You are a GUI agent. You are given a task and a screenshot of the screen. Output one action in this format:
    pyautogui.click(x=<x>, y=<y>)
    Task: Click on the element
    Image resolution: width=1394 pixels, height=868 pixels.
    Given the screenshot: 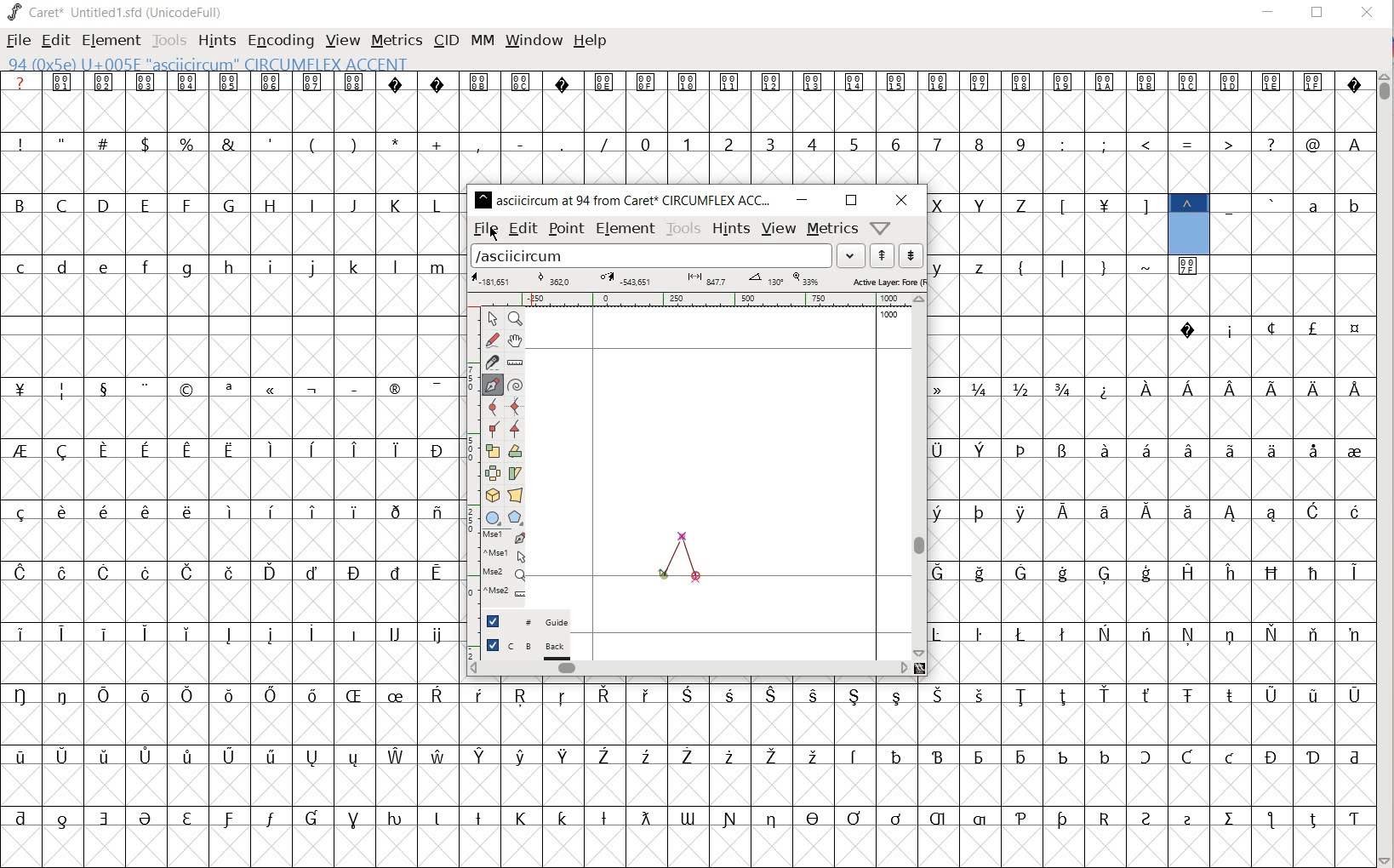 What is the action you would take?
    pyautogui.click(x=626, y=228)
    